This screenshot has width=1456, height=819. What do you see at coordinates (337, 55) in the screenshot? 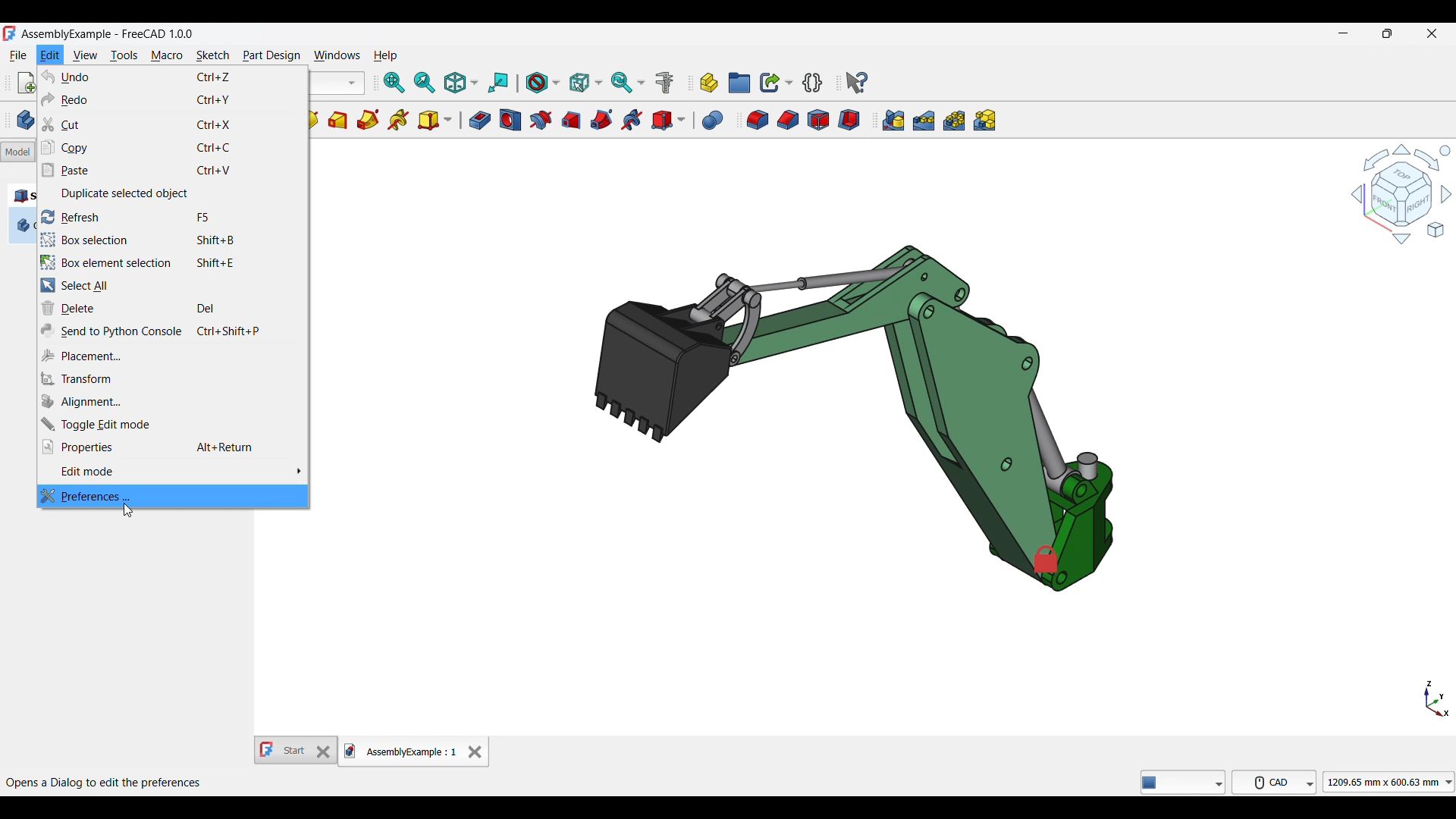
I see `Windows menu` at bounding box center [337, 55].